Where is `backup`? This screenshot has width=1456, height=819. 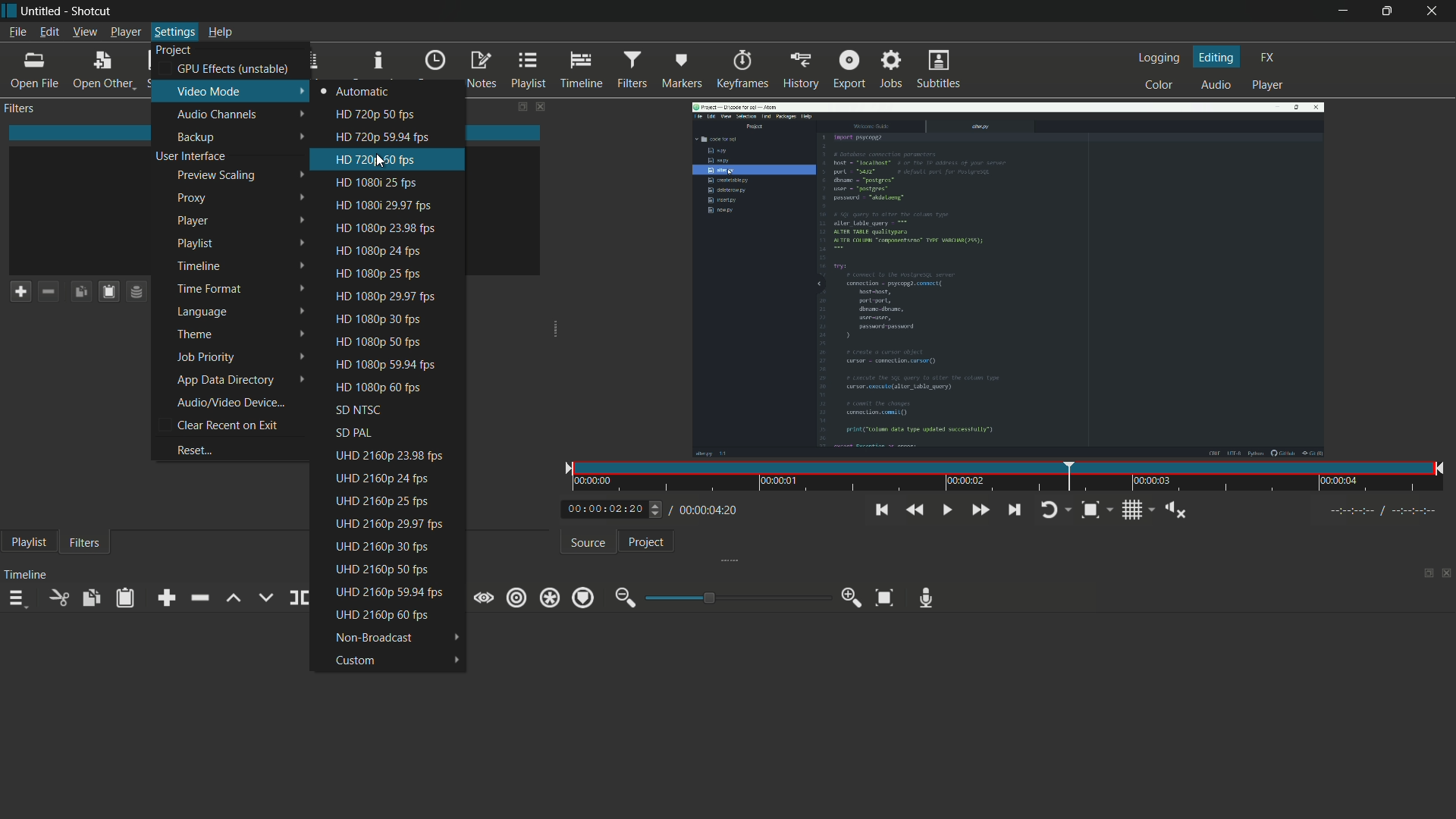
backup is located at coordinates (235, 137).